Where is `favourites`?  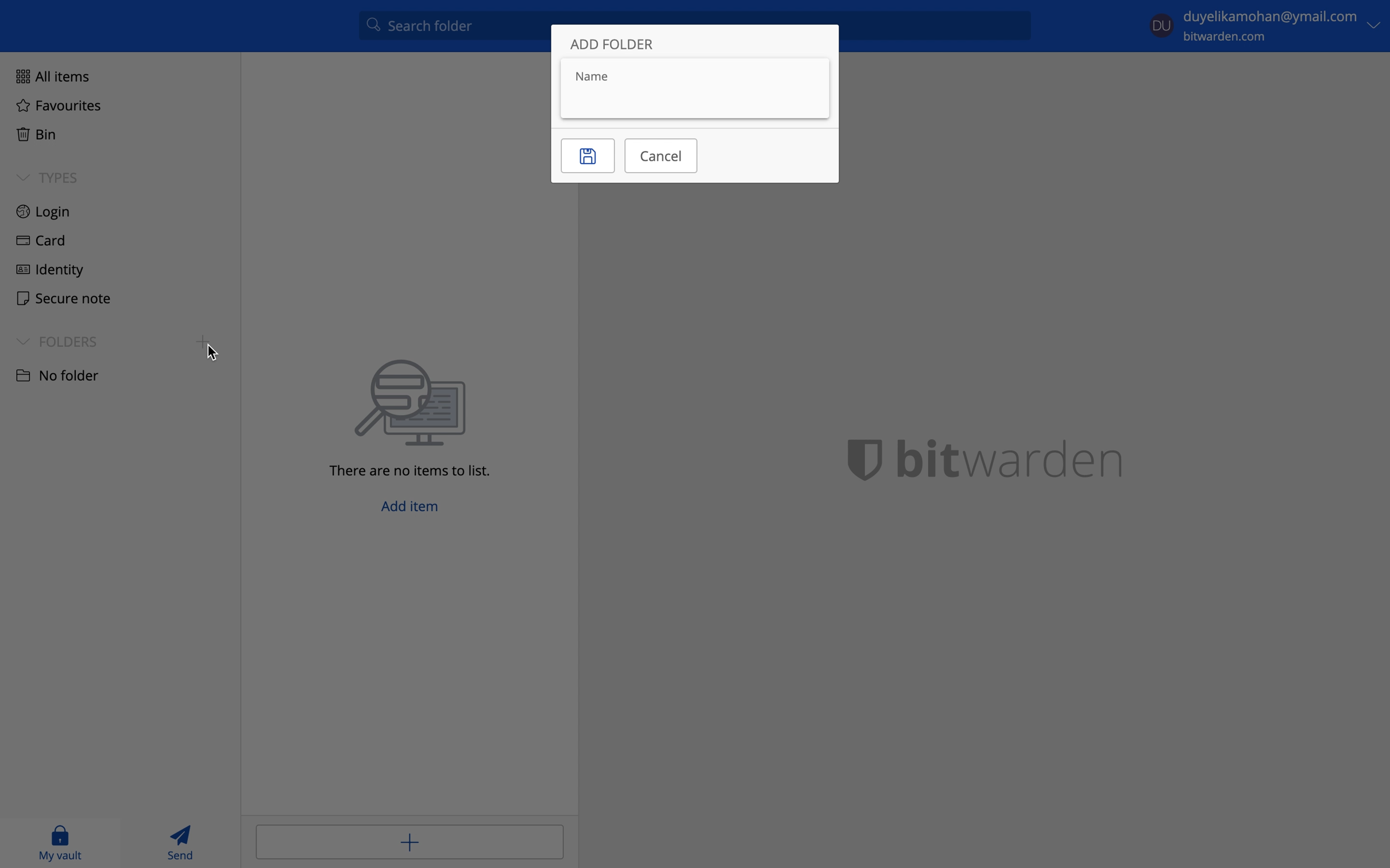
favourites is located at coordinates (59, 107).